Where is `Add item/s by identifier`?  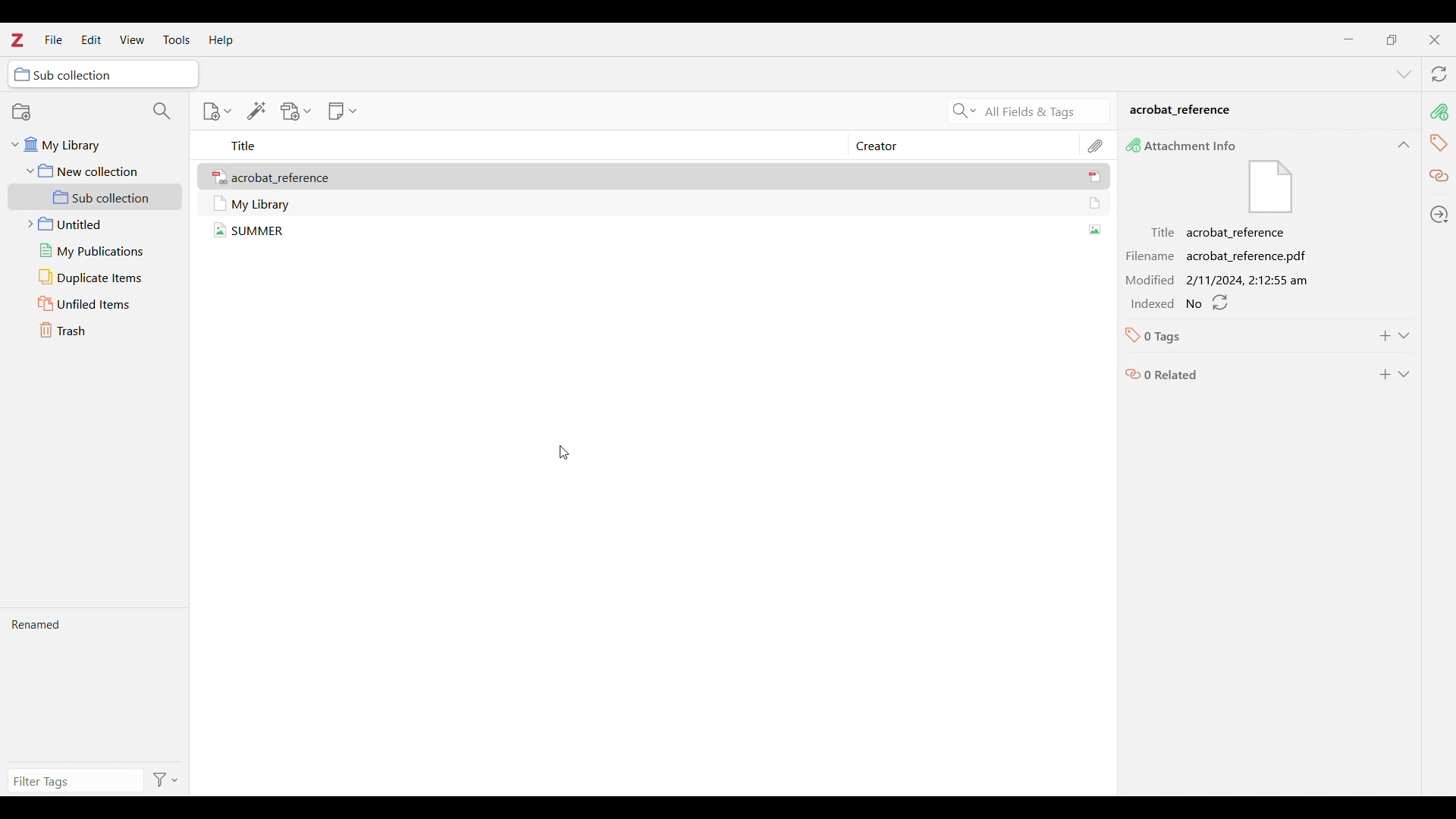 Add item/s by identifier is located at coordinates (256, 111).